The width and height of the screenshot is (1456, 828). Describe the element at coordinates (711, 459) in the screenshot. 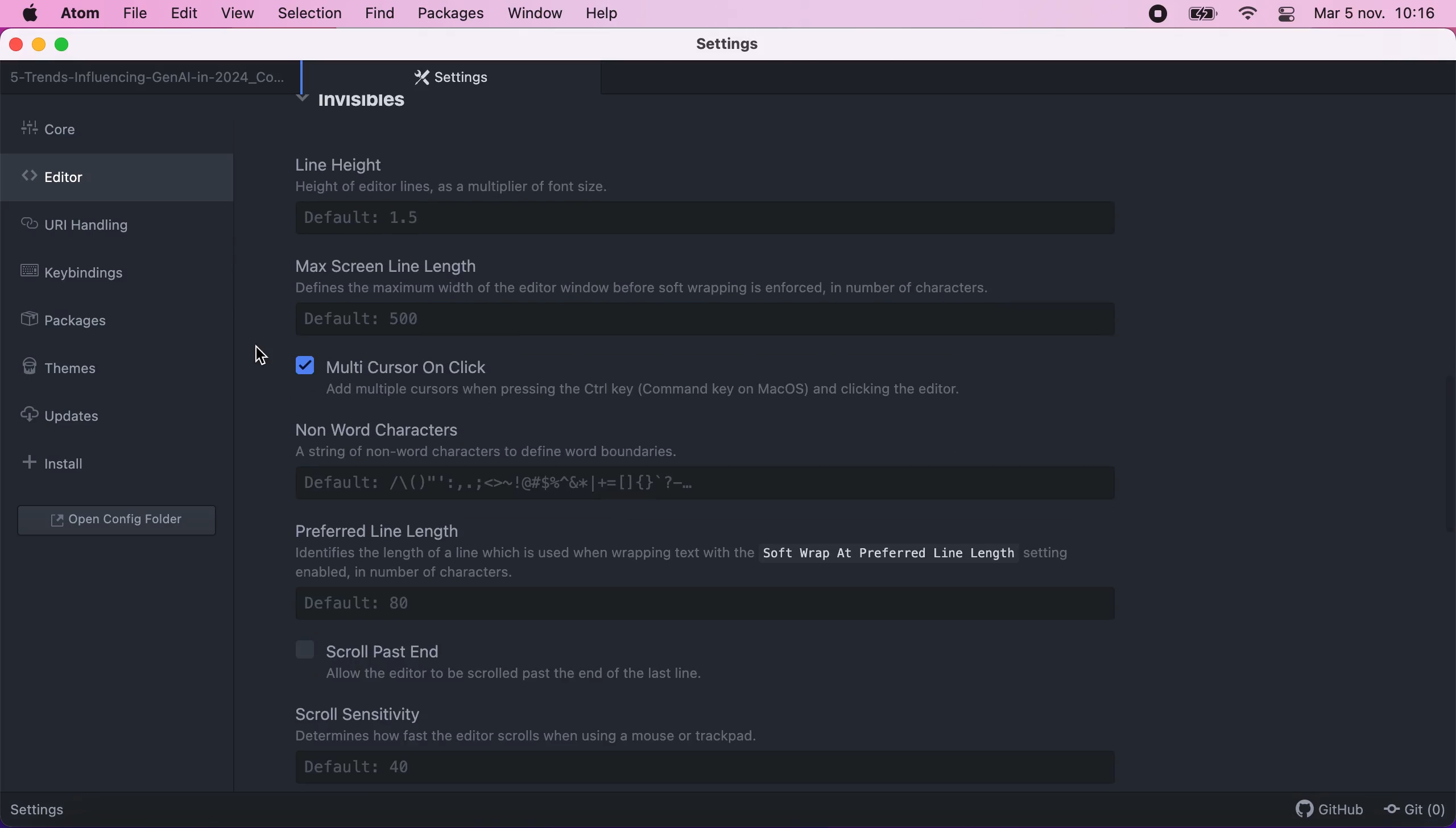

I see `non word character` at that location.